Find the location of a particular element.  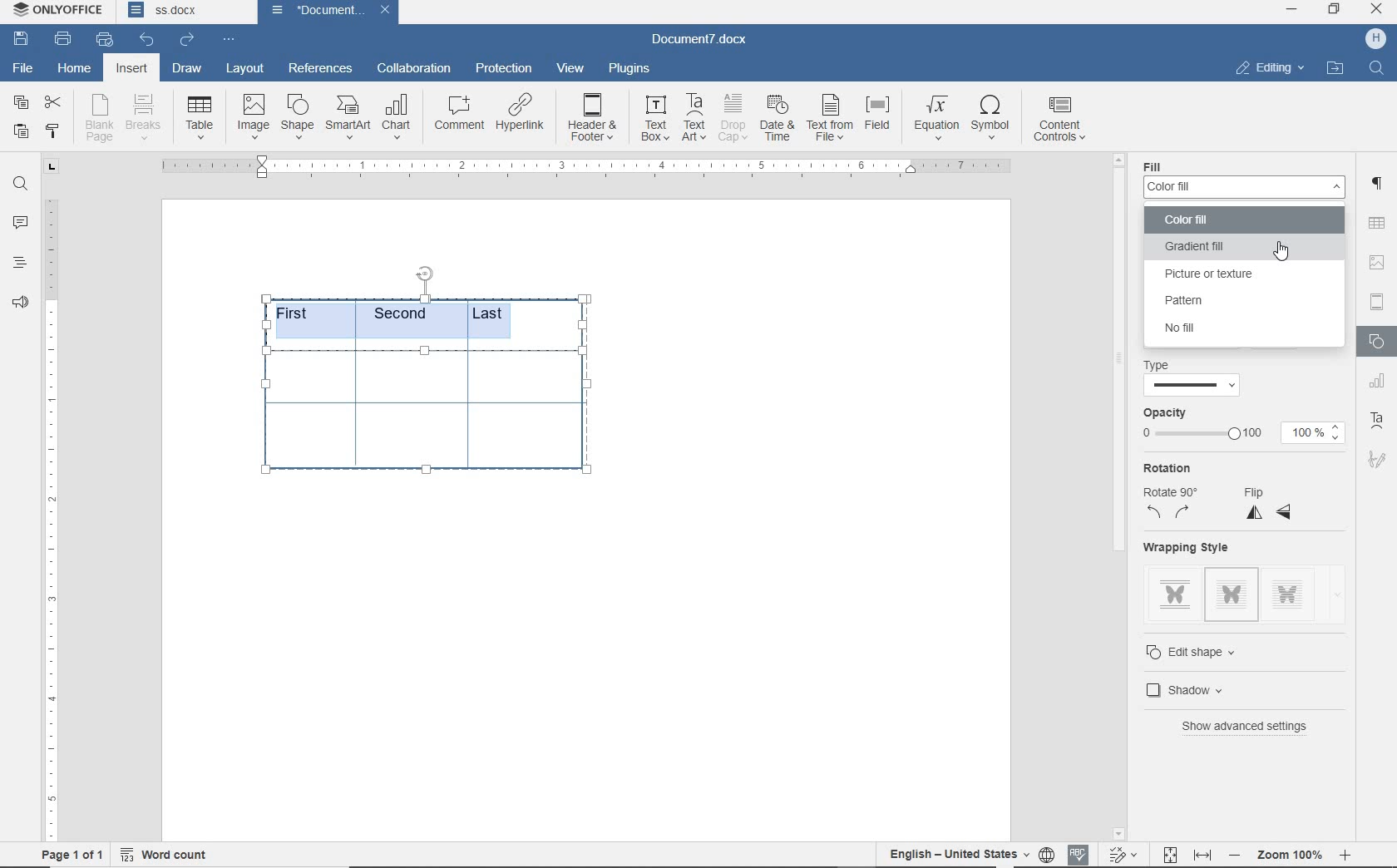

print is located at coordinates (63, 38).